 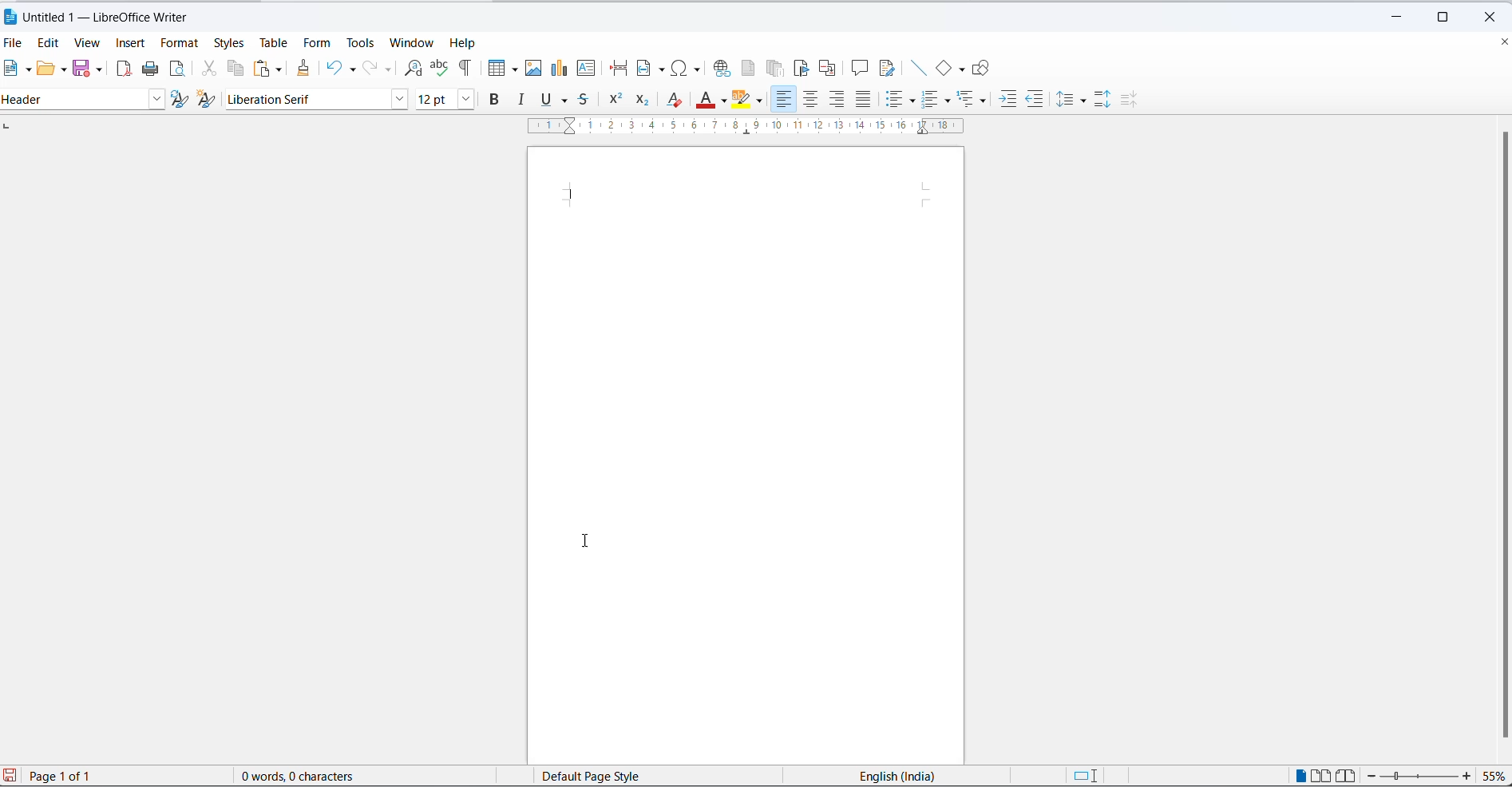 What do you see at coordinates (182, 100) in the screenshot?
I see `update selected options` at bounding box center [182, 100].